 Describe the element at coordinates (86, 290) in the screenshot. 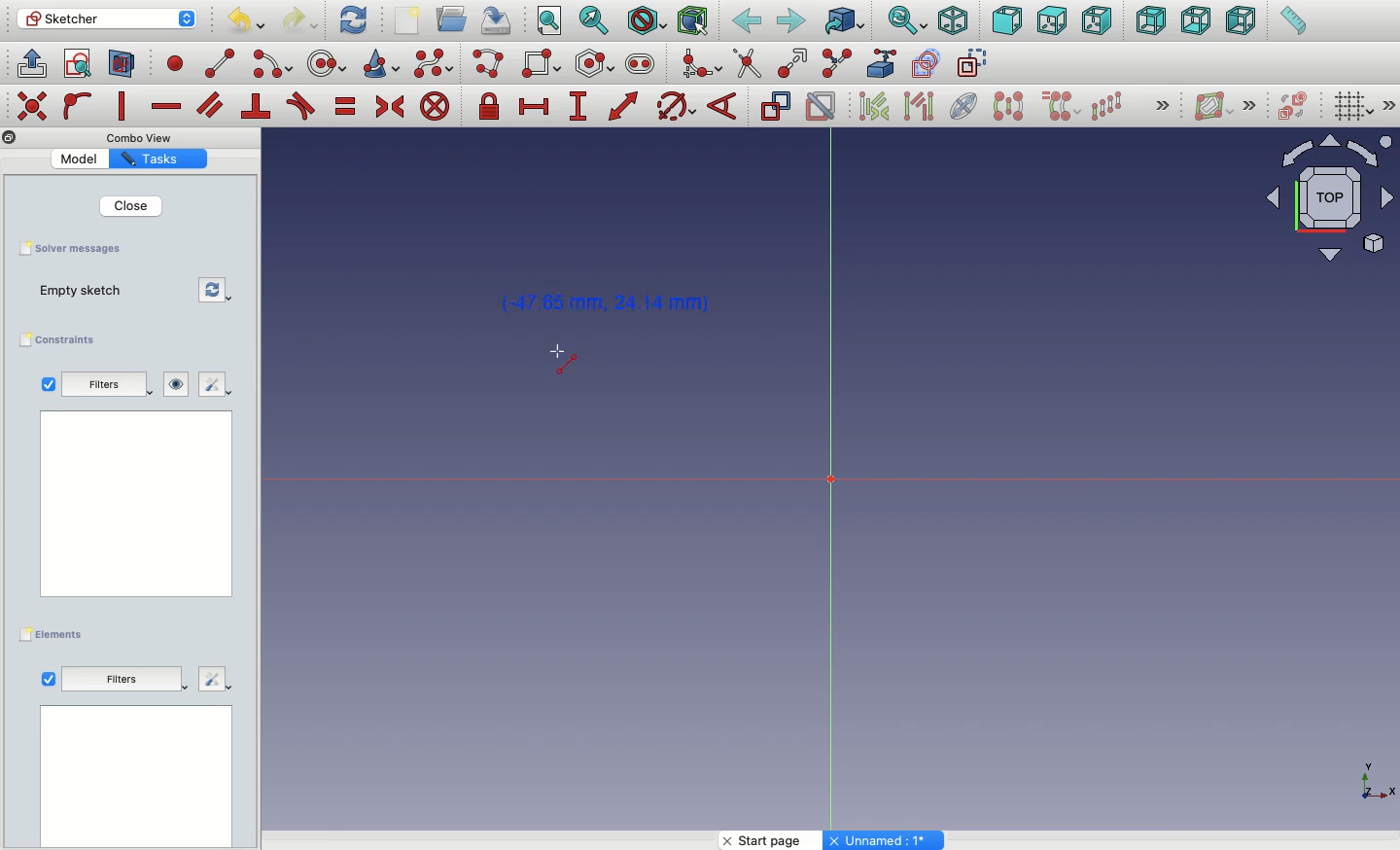

I see `Empty sketch` at that location.